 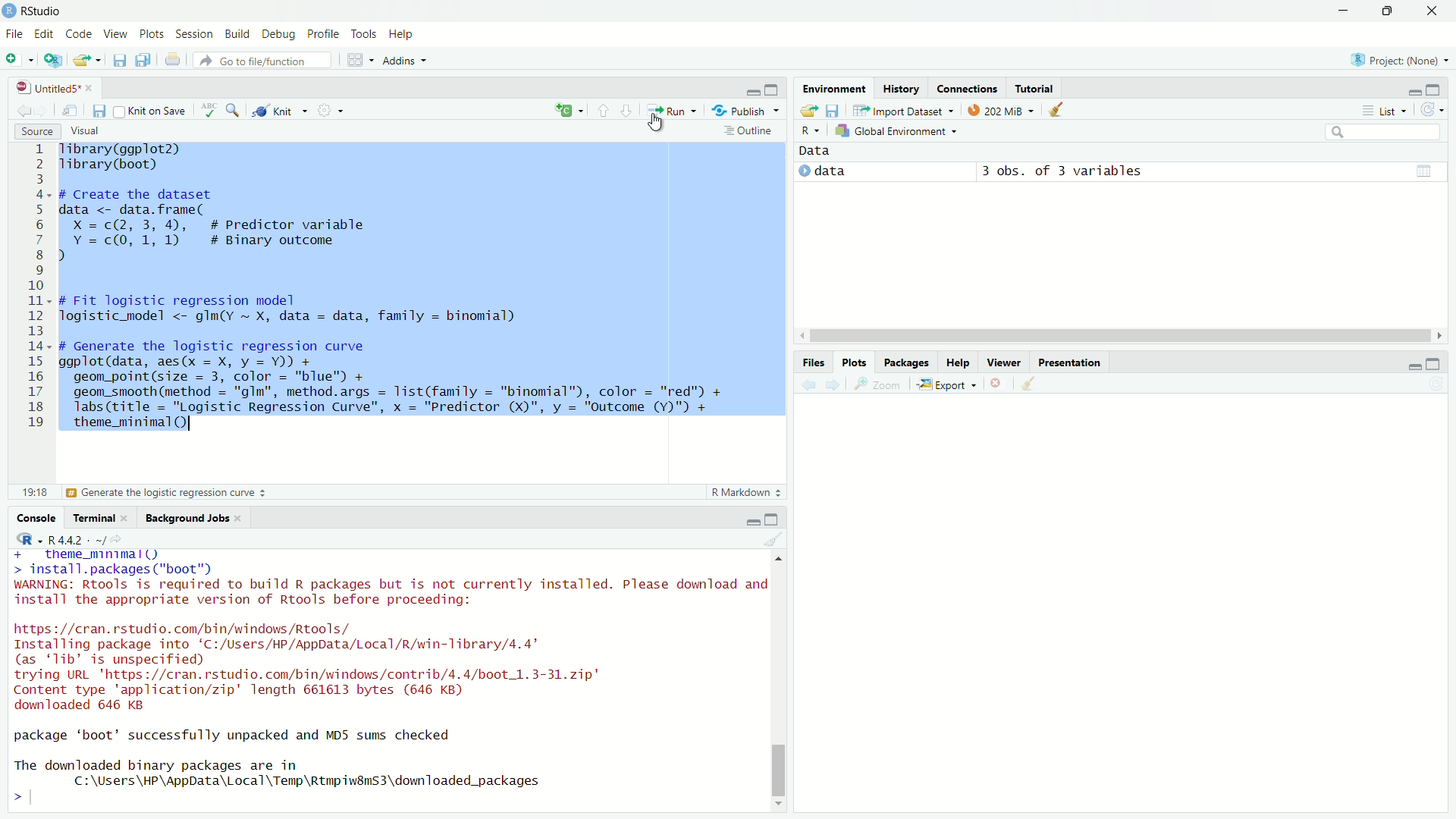 I want to click on R 4.4.2 . ~/, so click(x=77, y=539).